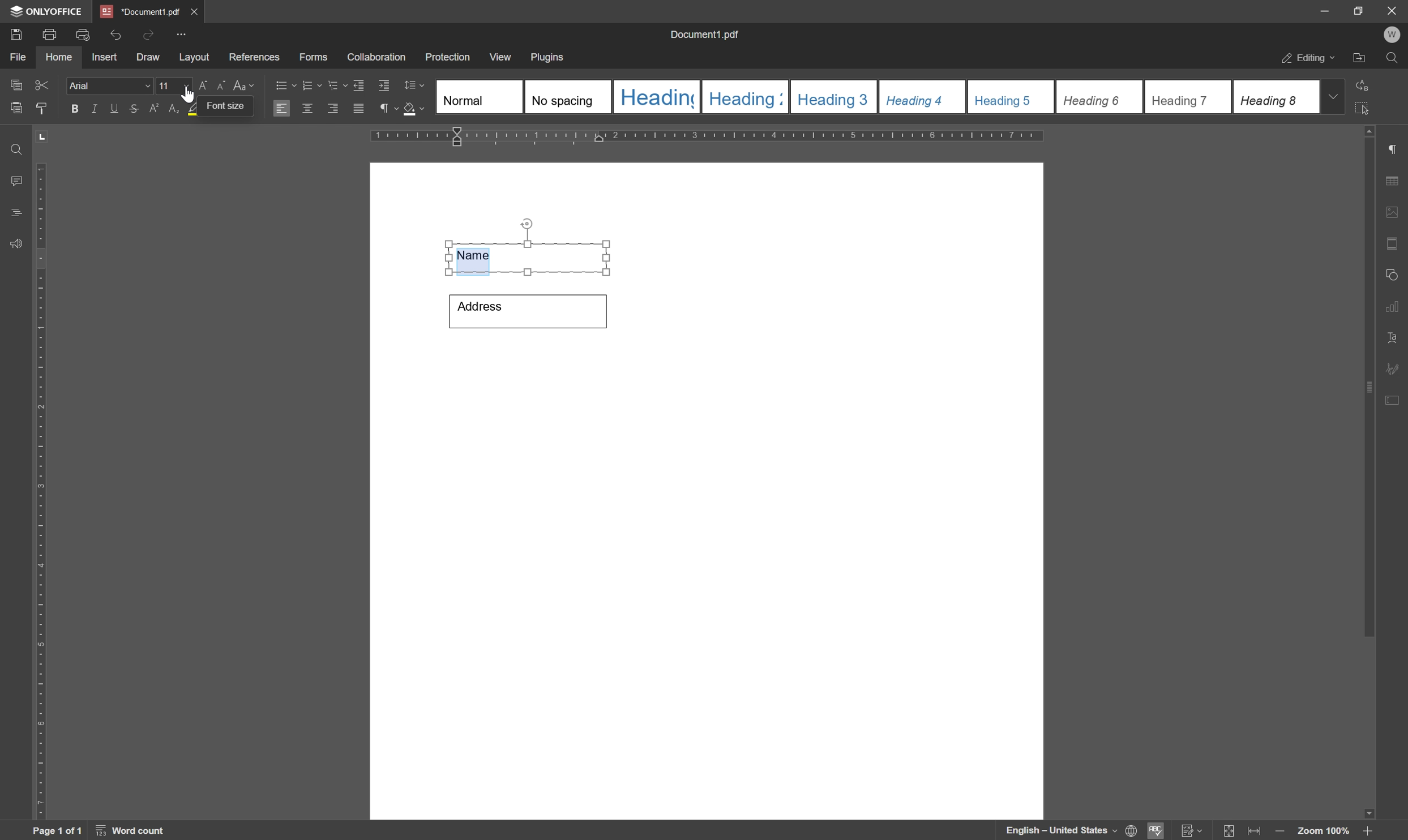 This screenshot has width=1408, height=840. I want to click on replace, so click(1364, 83).